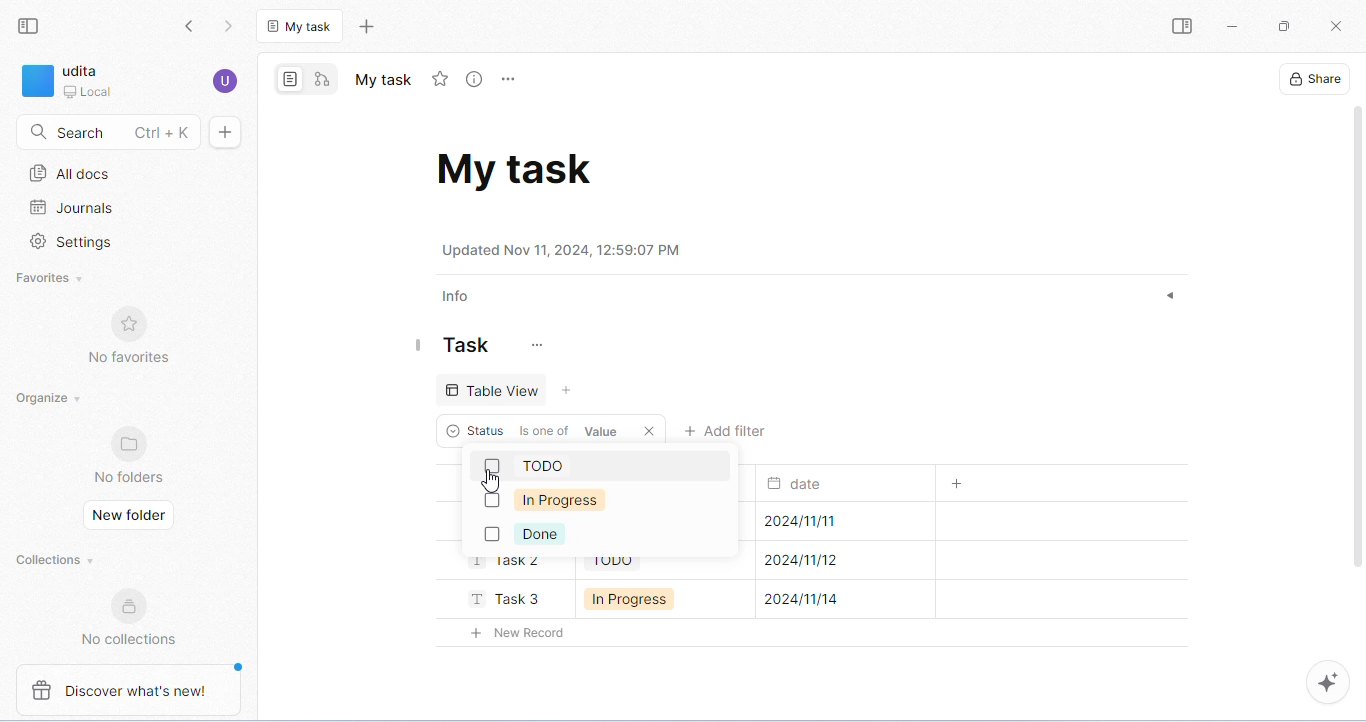  I want to click on all docs, so click(72, 173).